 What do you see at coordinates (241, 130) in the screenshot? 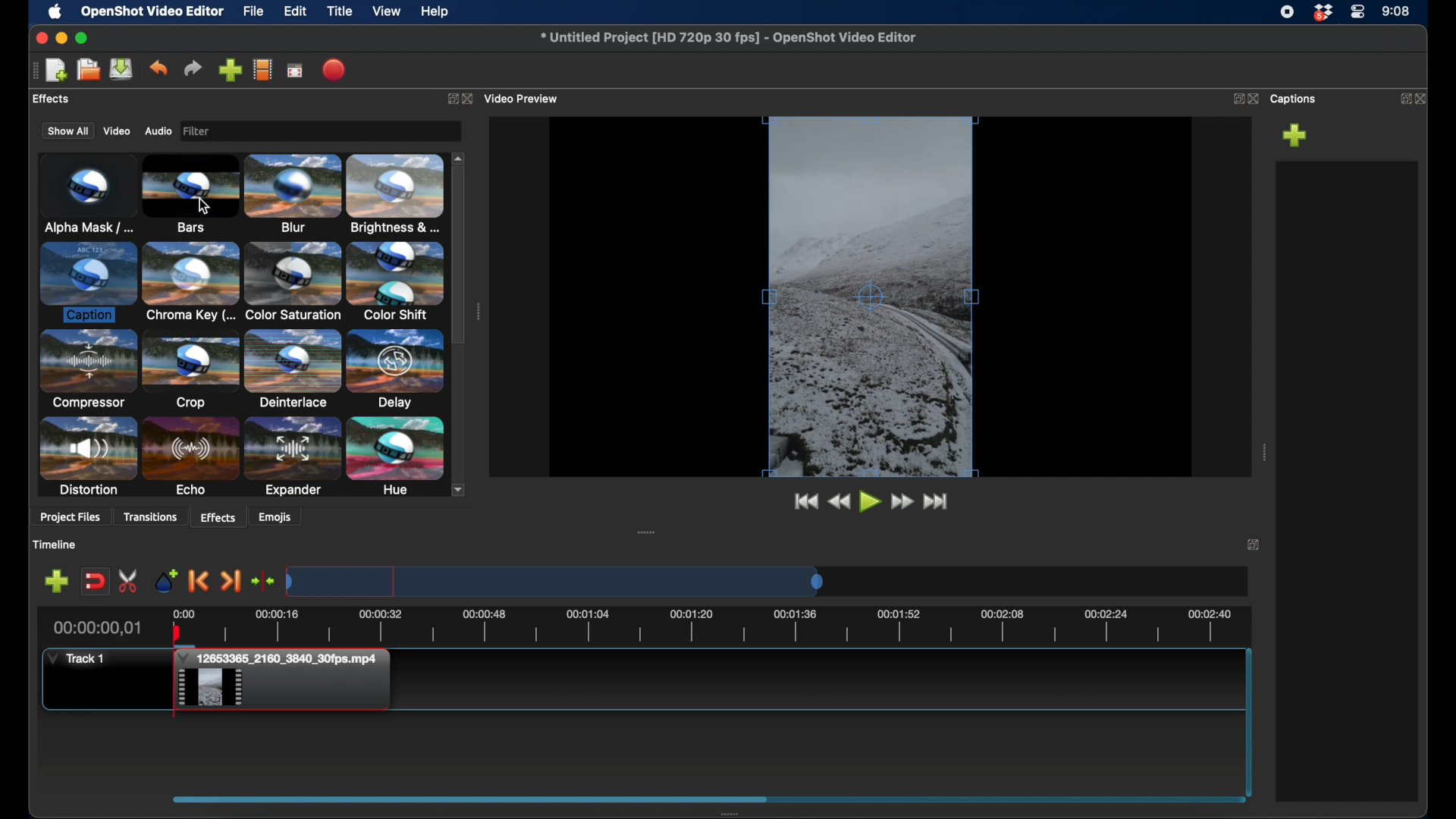
I see `filter` at bounding box center [241, 130].